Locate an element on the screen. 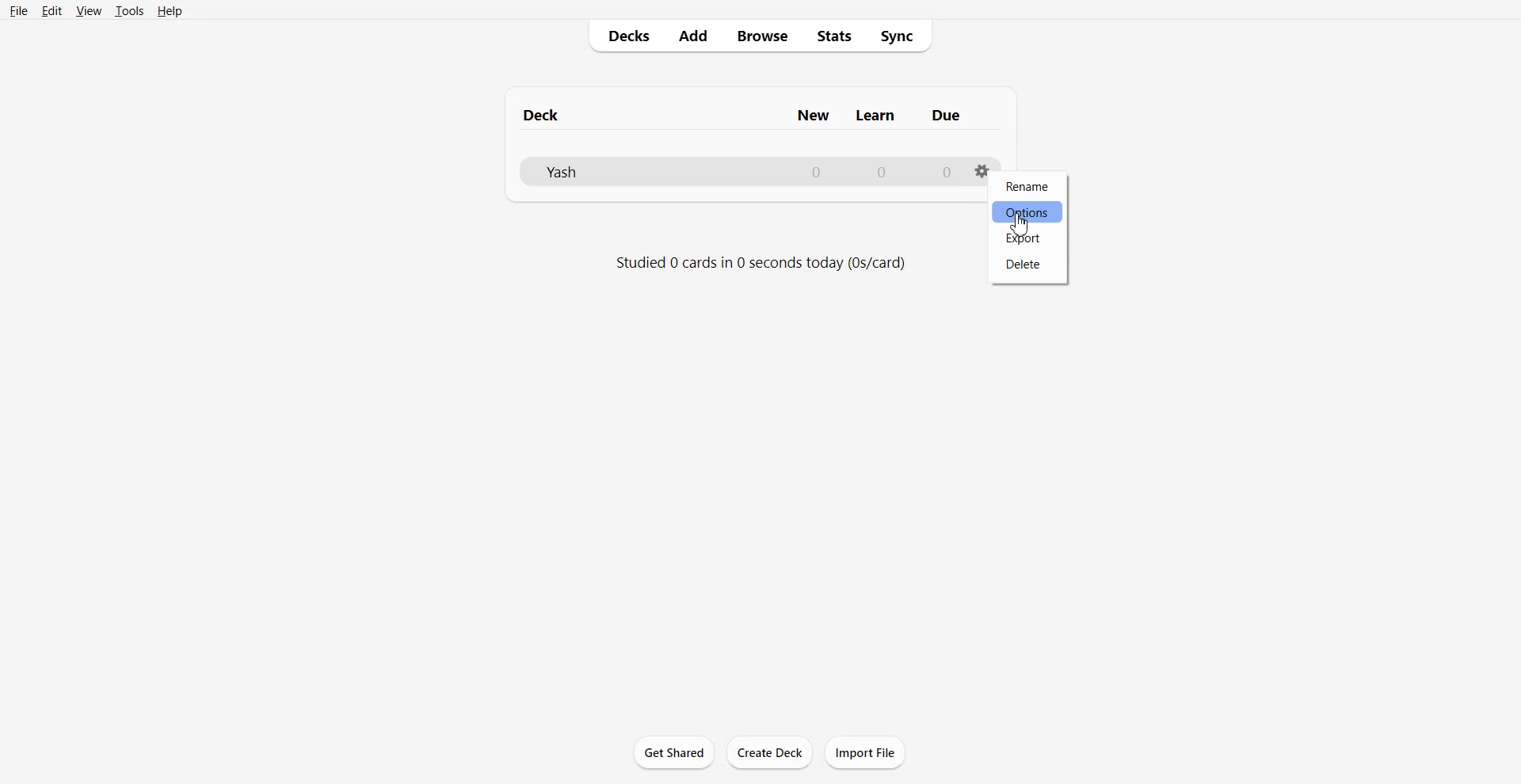 The height and width of the screenshot is (784, 1521). Text 2 is located at coordinates (758, 263).